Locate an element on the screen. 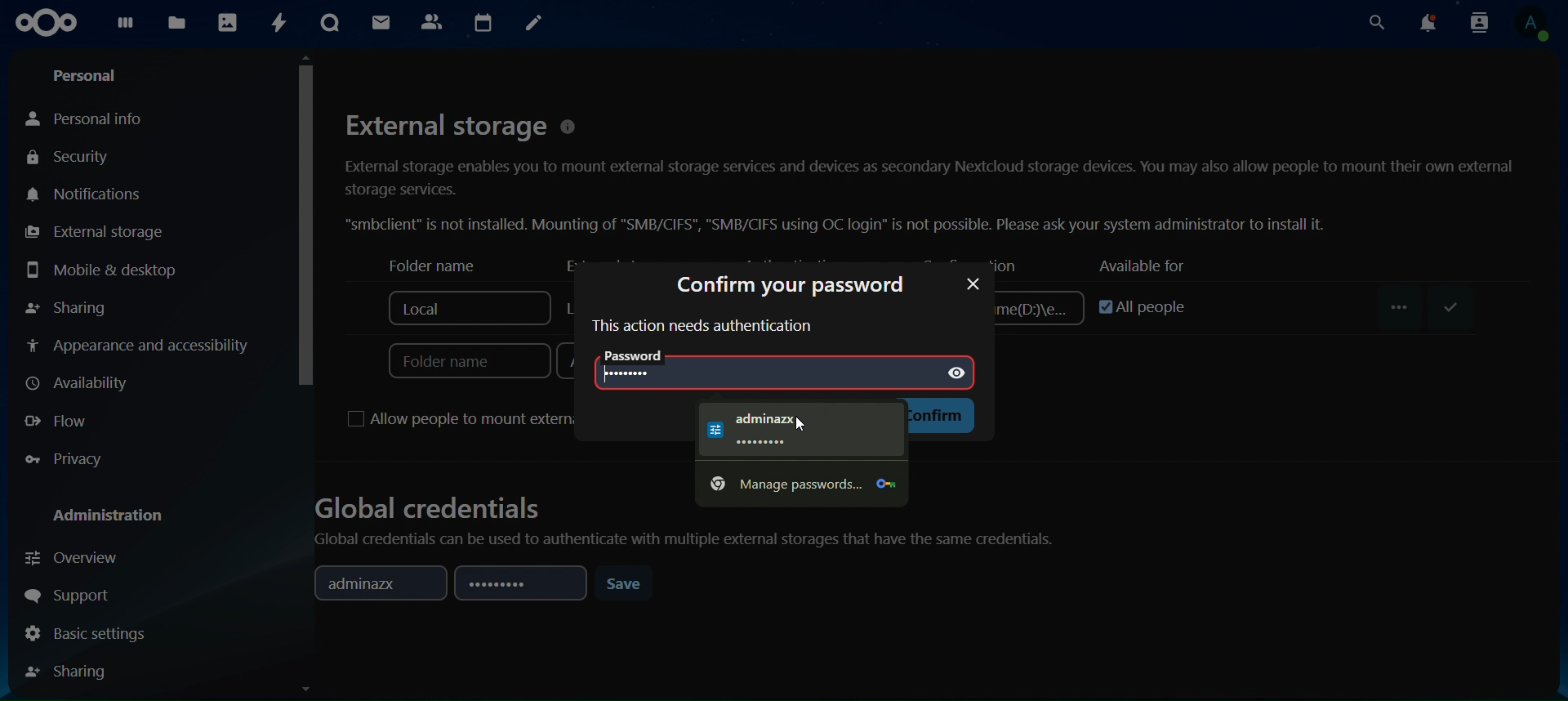  search is located at coordinates (1375, 23).